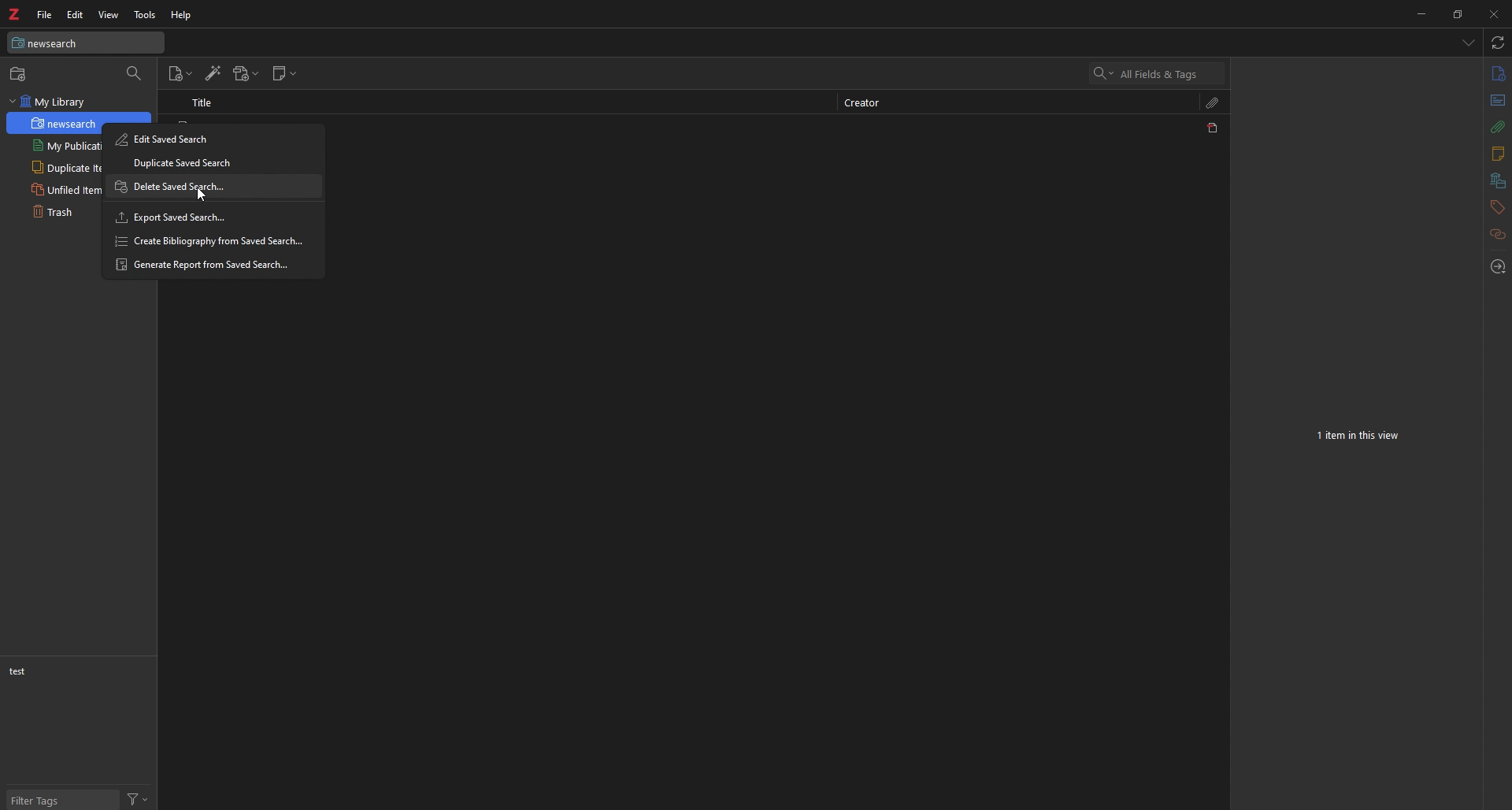 Image resolution: width=1512 pixels, height=810 pixels. Describe the element at coordinates (243, 74) in the screenshot. I see `Add attachments` at that location.